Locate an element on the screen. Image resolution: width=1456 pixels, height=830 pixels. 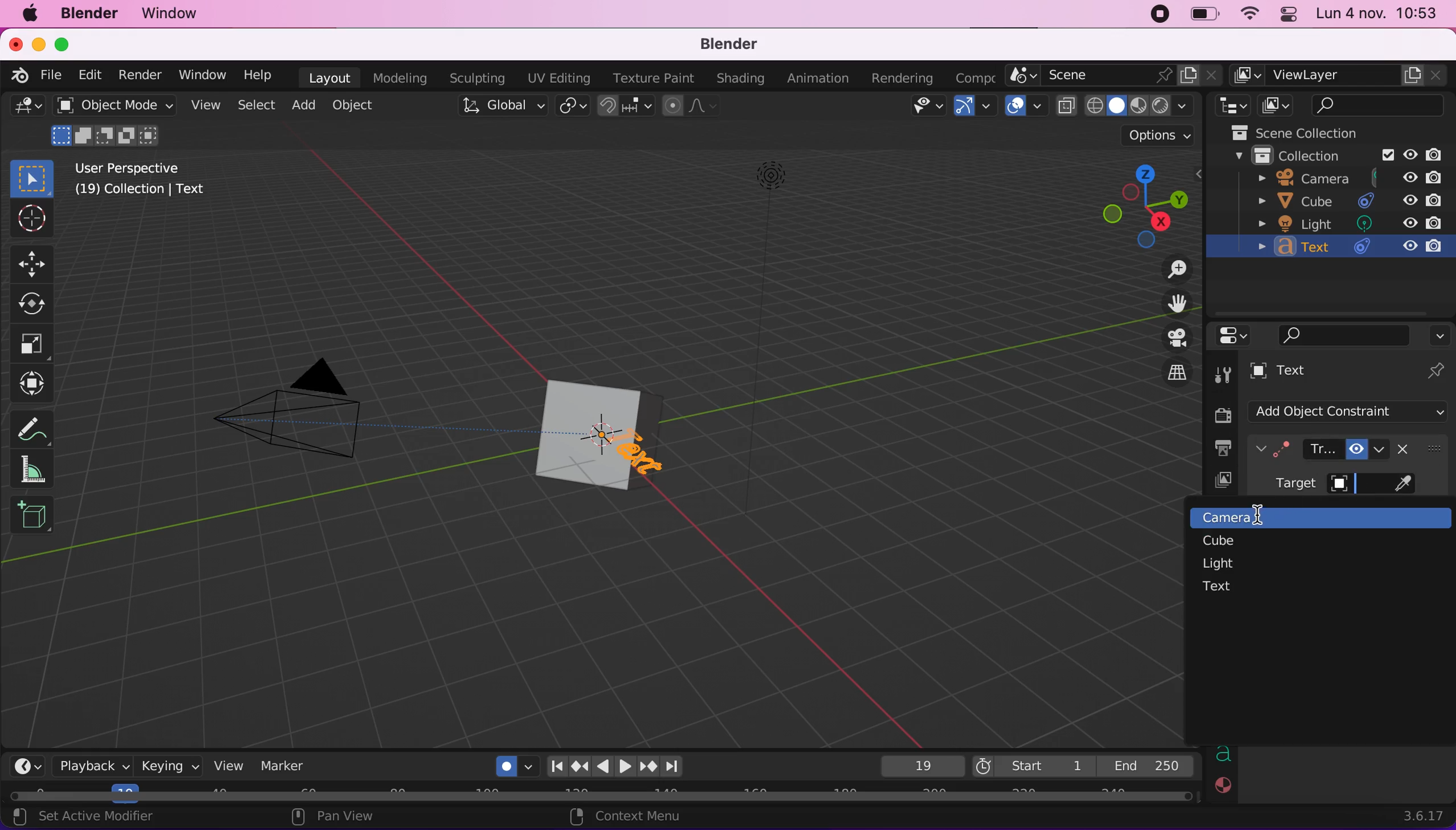
options is located at coordinates (1156, 134).